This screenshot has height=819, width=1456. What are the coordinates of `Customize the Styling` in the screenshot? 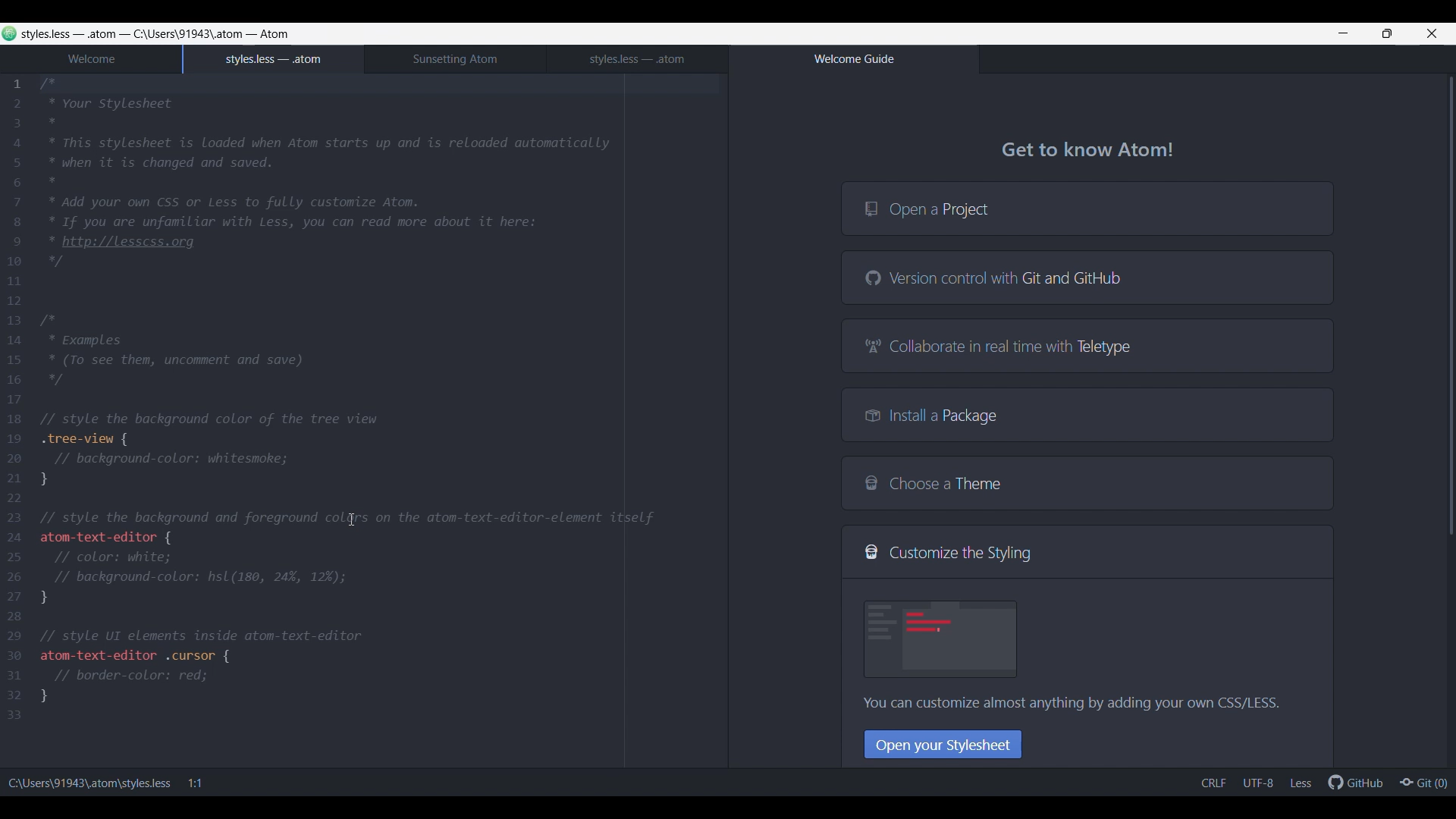 It's located at (1087, 552).